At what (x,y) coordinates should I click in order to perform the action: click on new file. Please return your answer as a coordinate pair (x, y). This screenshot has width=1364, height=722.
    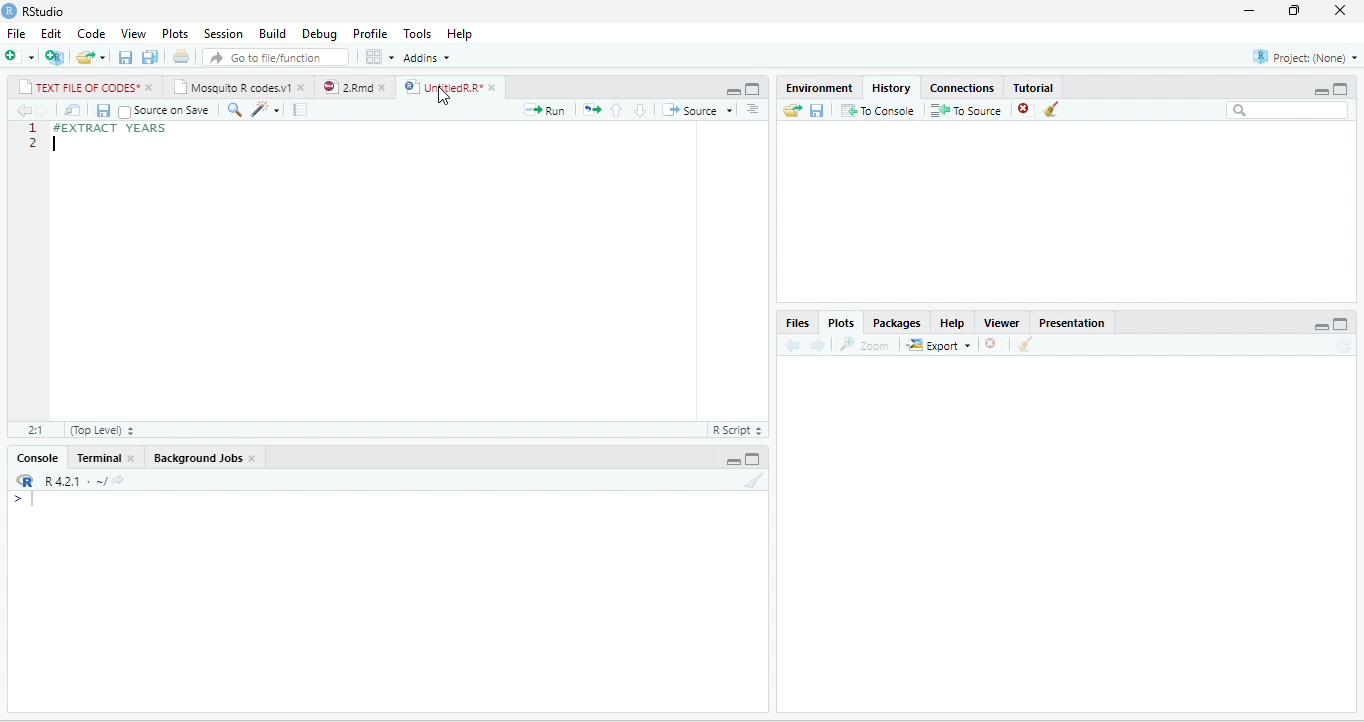
    Looking at the image, I should click on (20, 57).